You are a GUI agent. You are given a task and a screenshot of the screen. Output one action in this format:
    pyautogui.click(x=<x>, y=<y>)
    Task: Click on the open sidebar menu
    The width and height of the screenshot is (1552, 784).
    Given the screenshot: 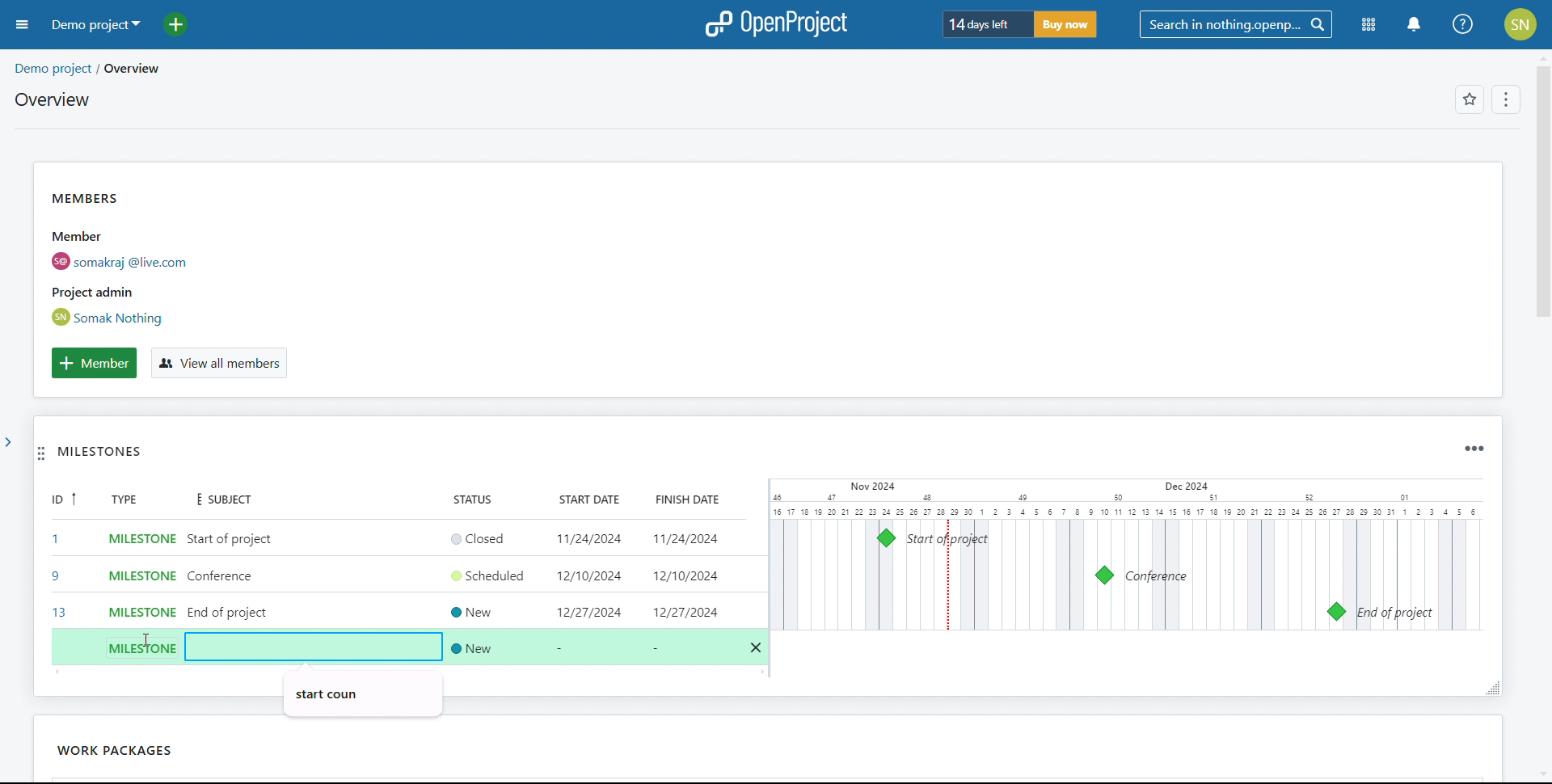 What is the action you would take?
    pyautogui.click(x=23, y=25)
    